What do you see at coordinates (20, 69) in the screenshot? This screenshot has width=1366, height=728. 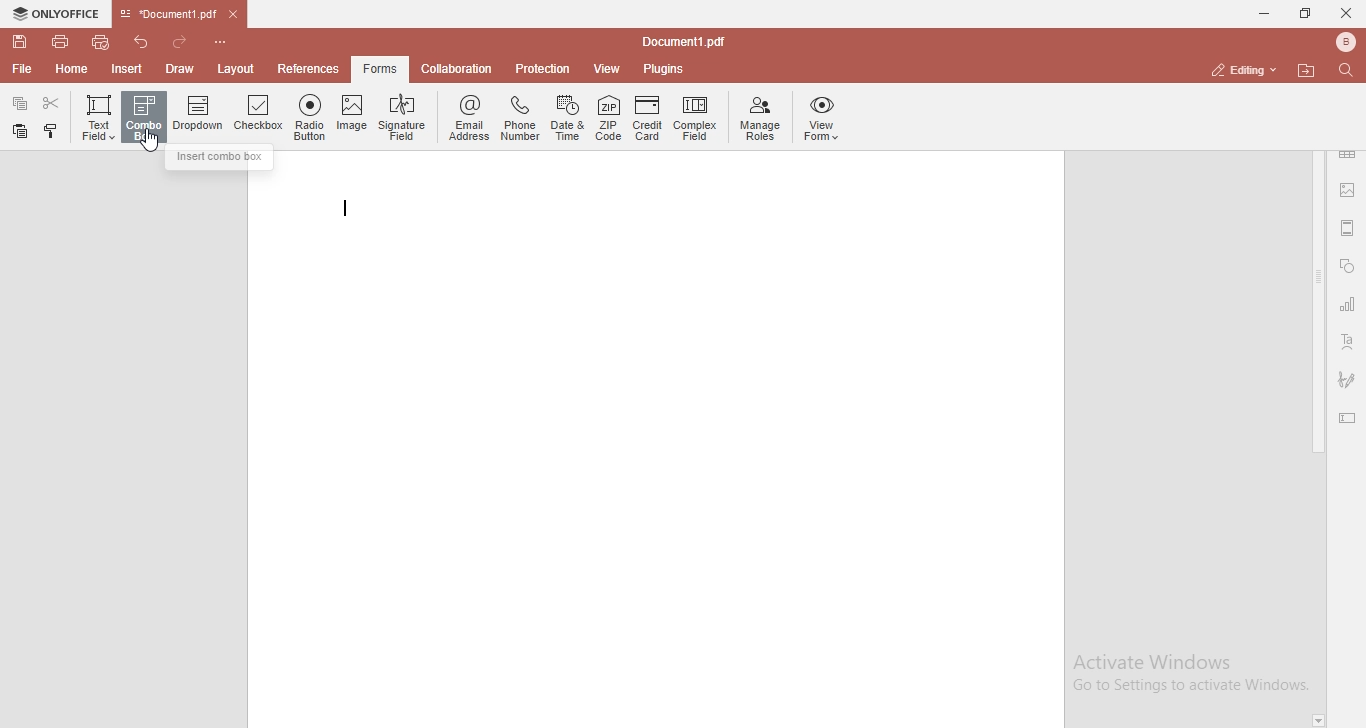 I see `File` at bounding box center [20, 69].